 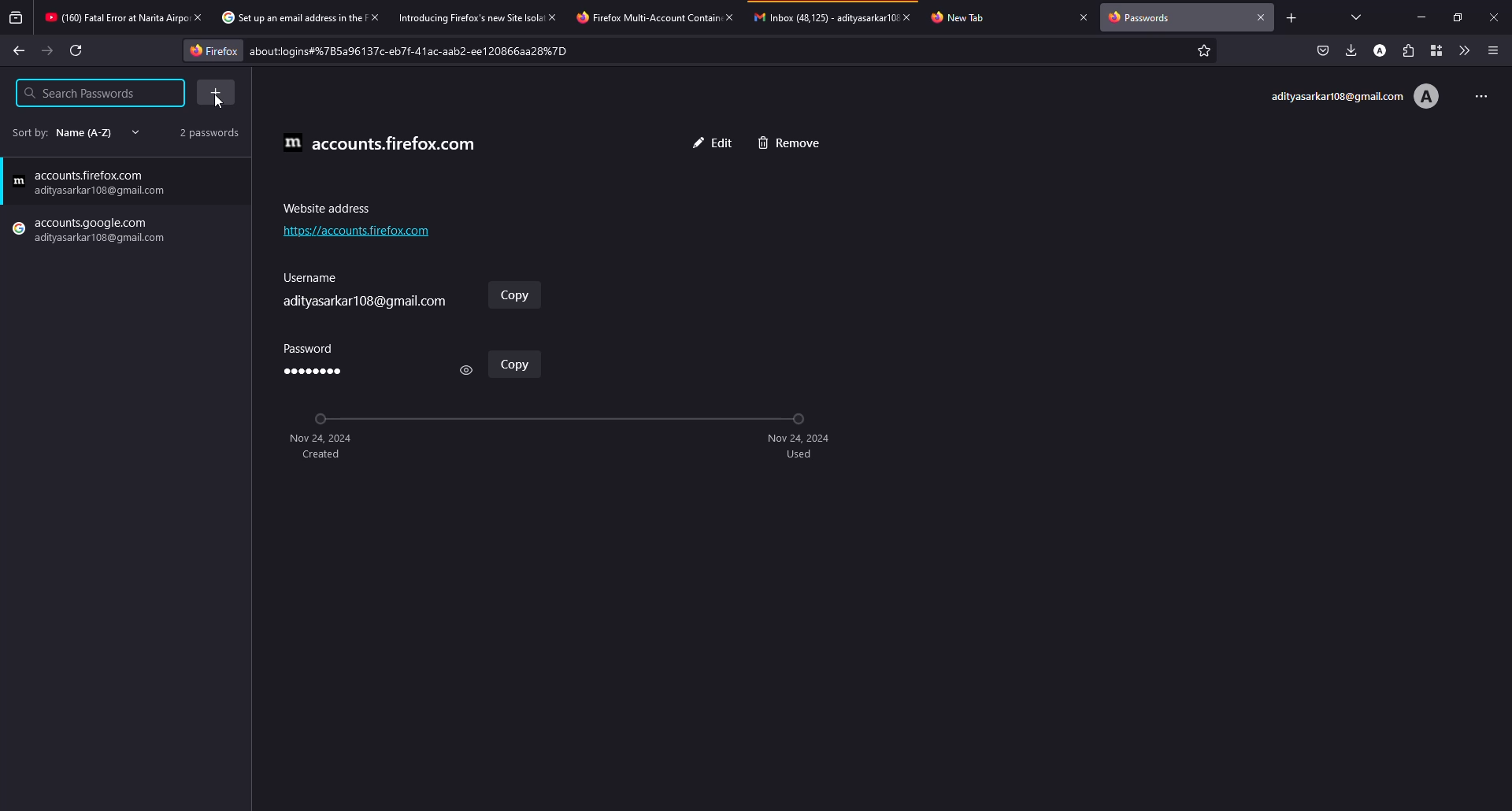 What do you see at coordinates (223, 102) in the screenshot?
I see `cursor` at bounding box center [223, 102].